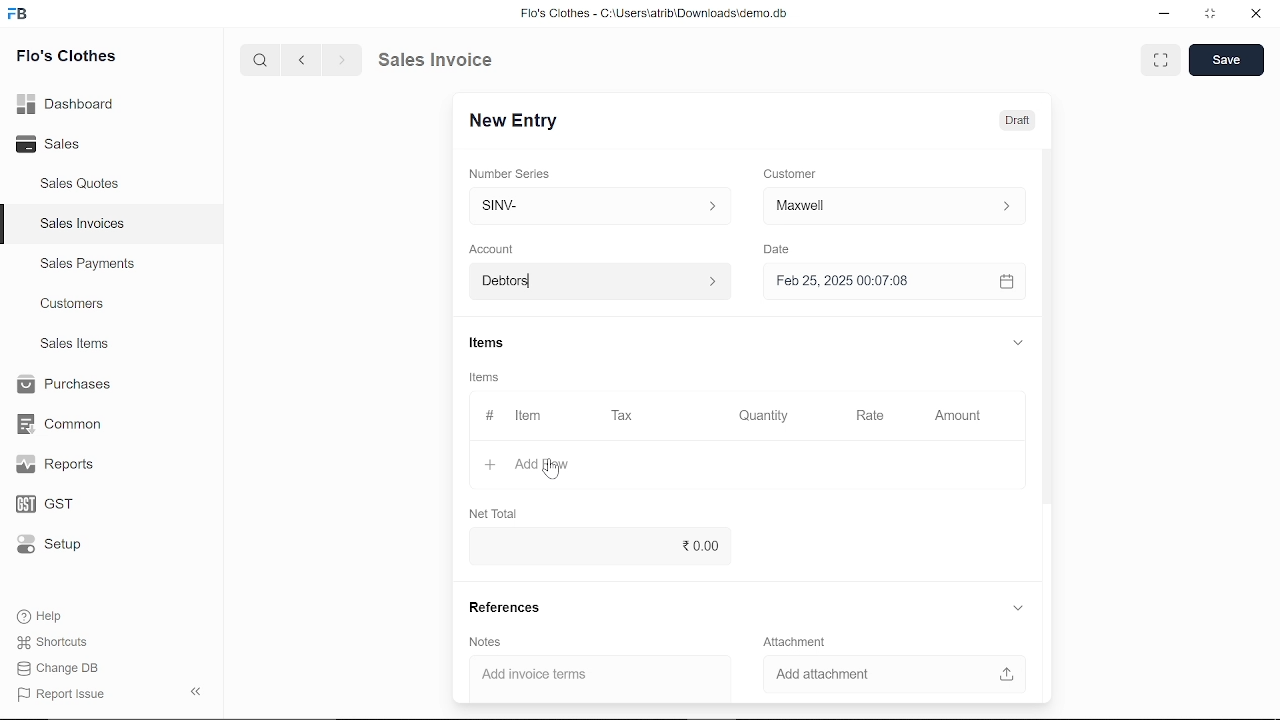  What do you see at coordinates (491, 343) in the screenshot?
I see `Items` at bounding box center [491, 343].